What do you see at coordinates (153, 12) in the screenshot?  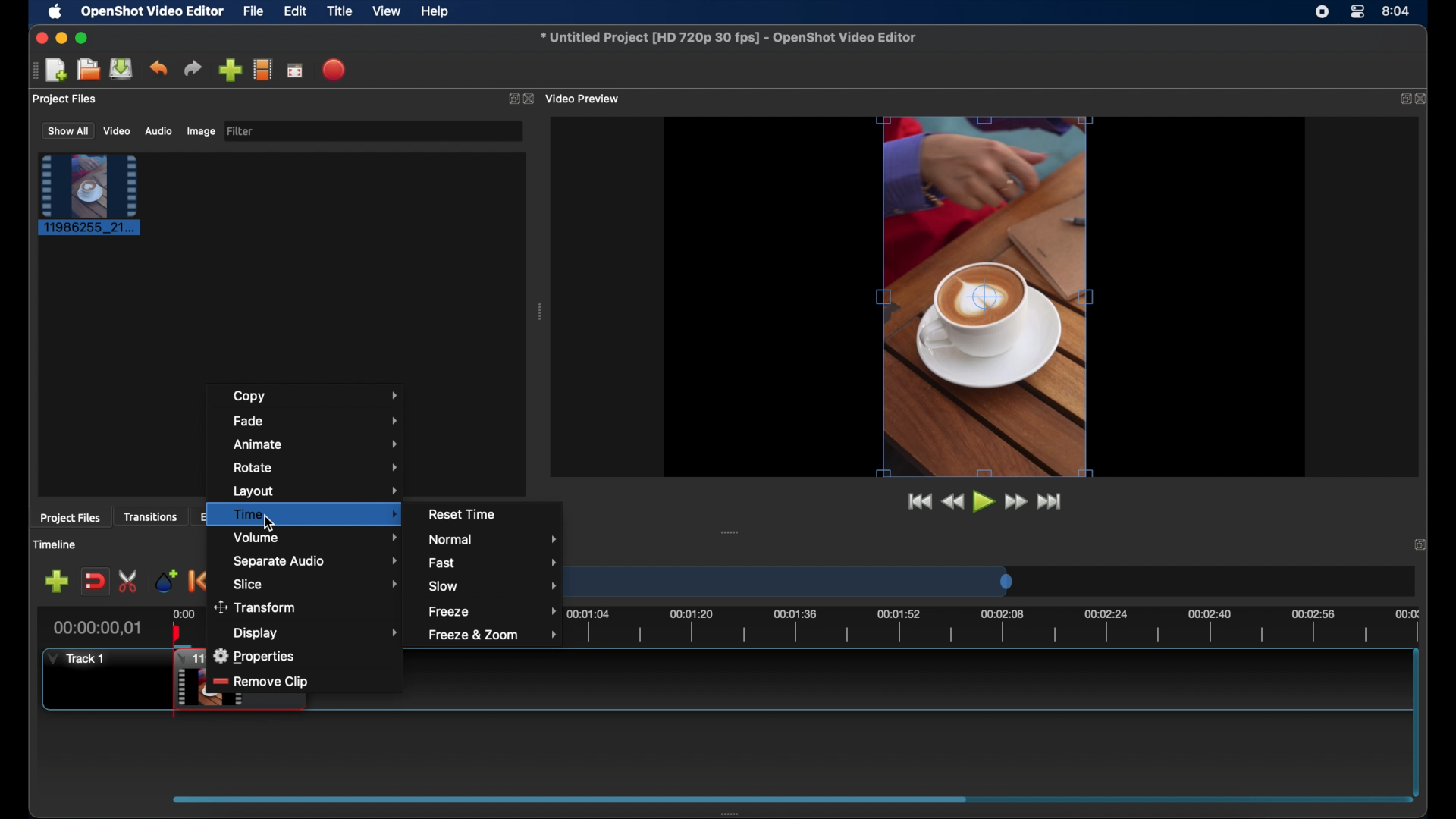 I see `openshot video editor` at bounding box center [153, 12].